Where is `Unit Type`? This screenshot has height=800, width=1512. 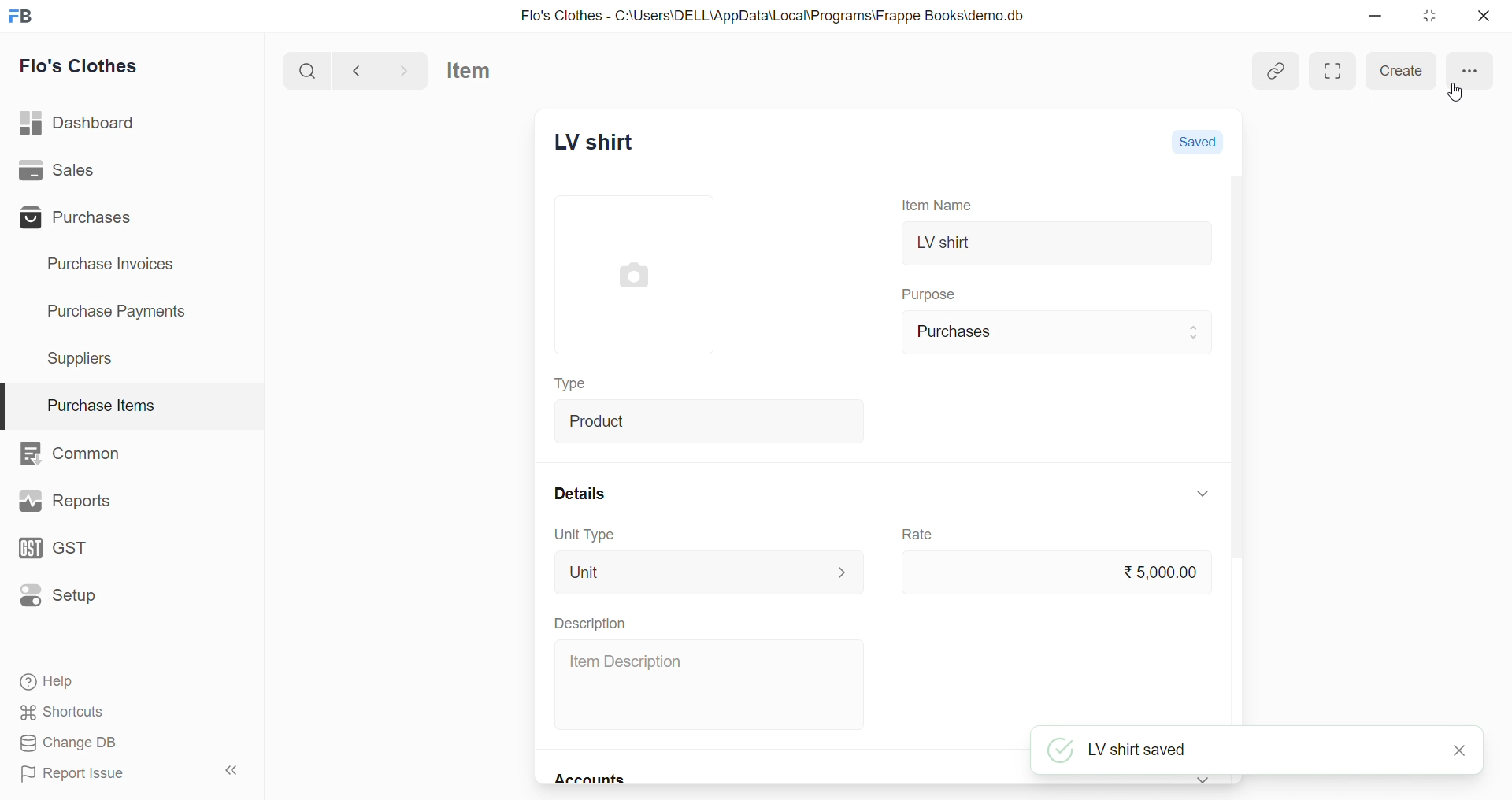 Unit Type is located at coordinates (583, 535).